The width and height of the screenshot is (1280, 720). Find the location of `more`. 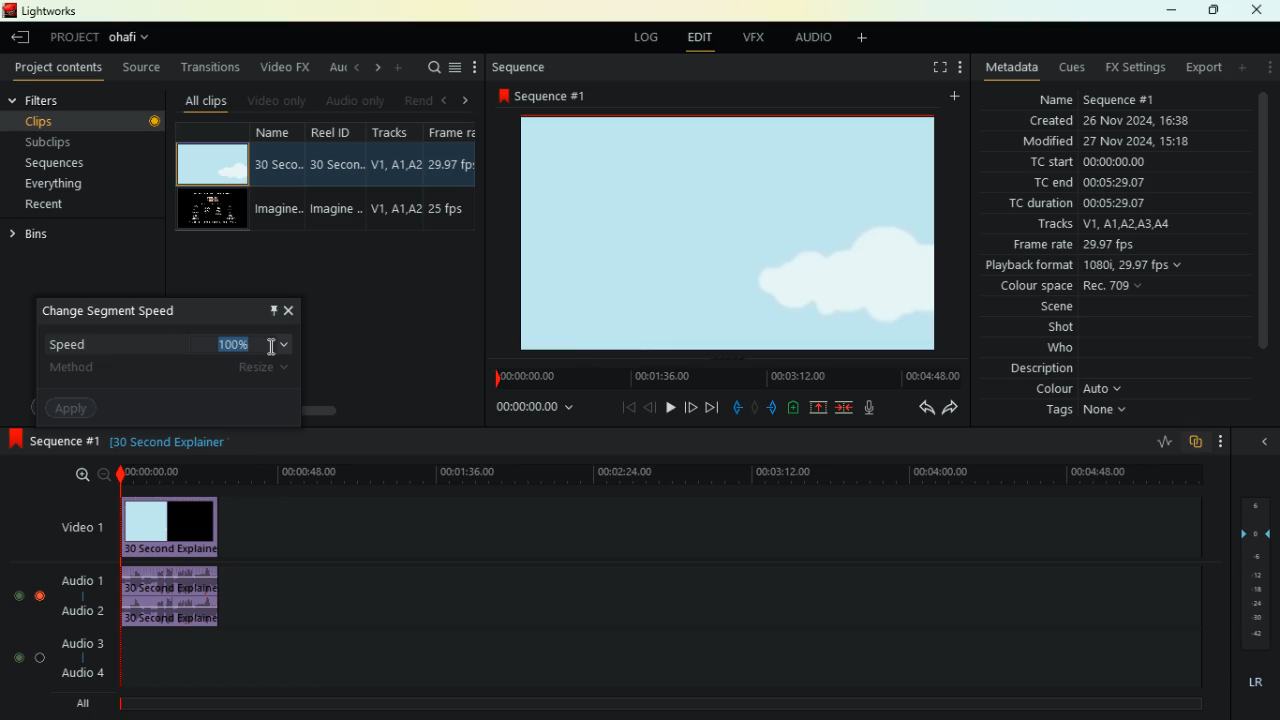

more is located at coordinates (958, 69).